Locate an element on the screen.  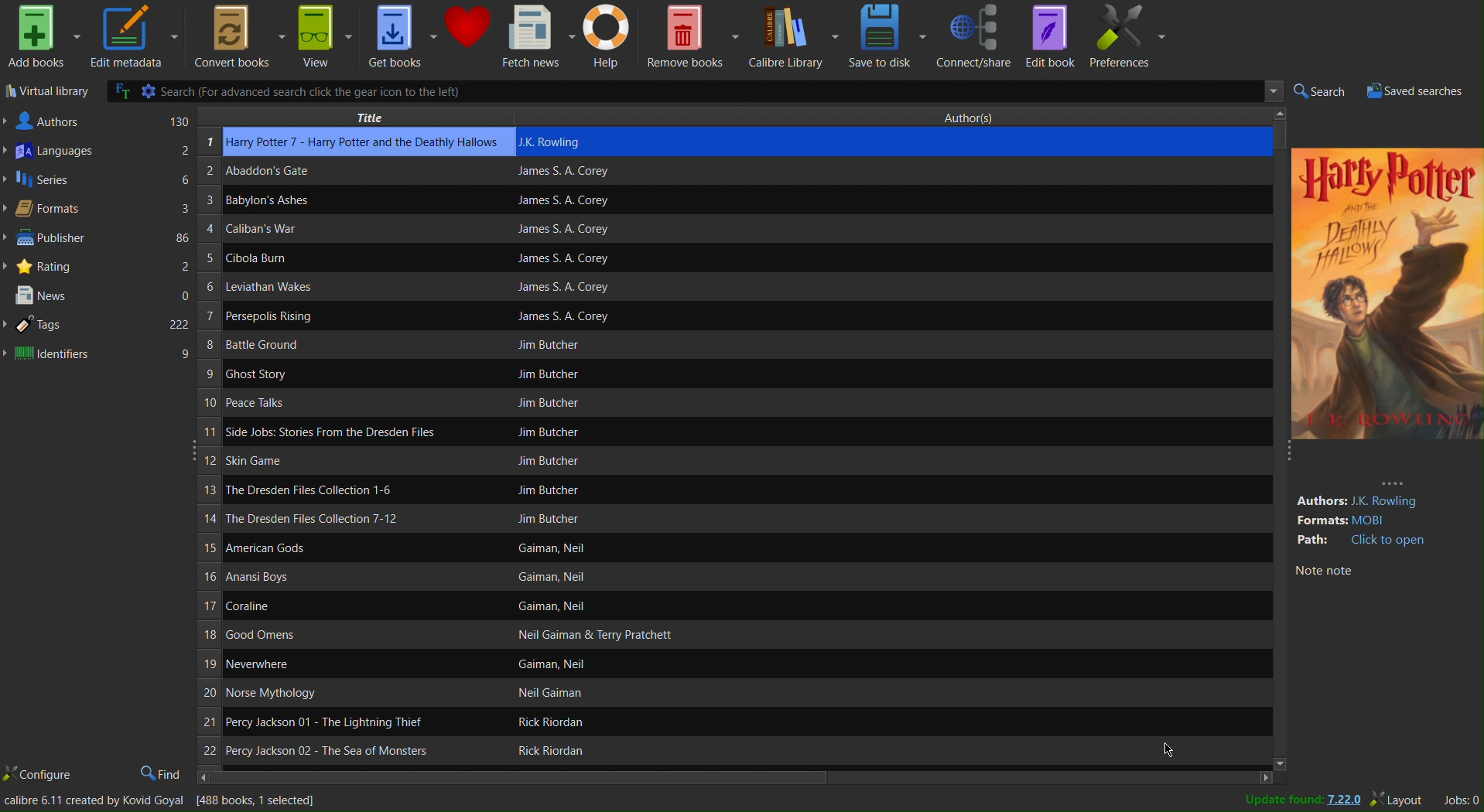
Search bar is located at coordinates (684, 90).